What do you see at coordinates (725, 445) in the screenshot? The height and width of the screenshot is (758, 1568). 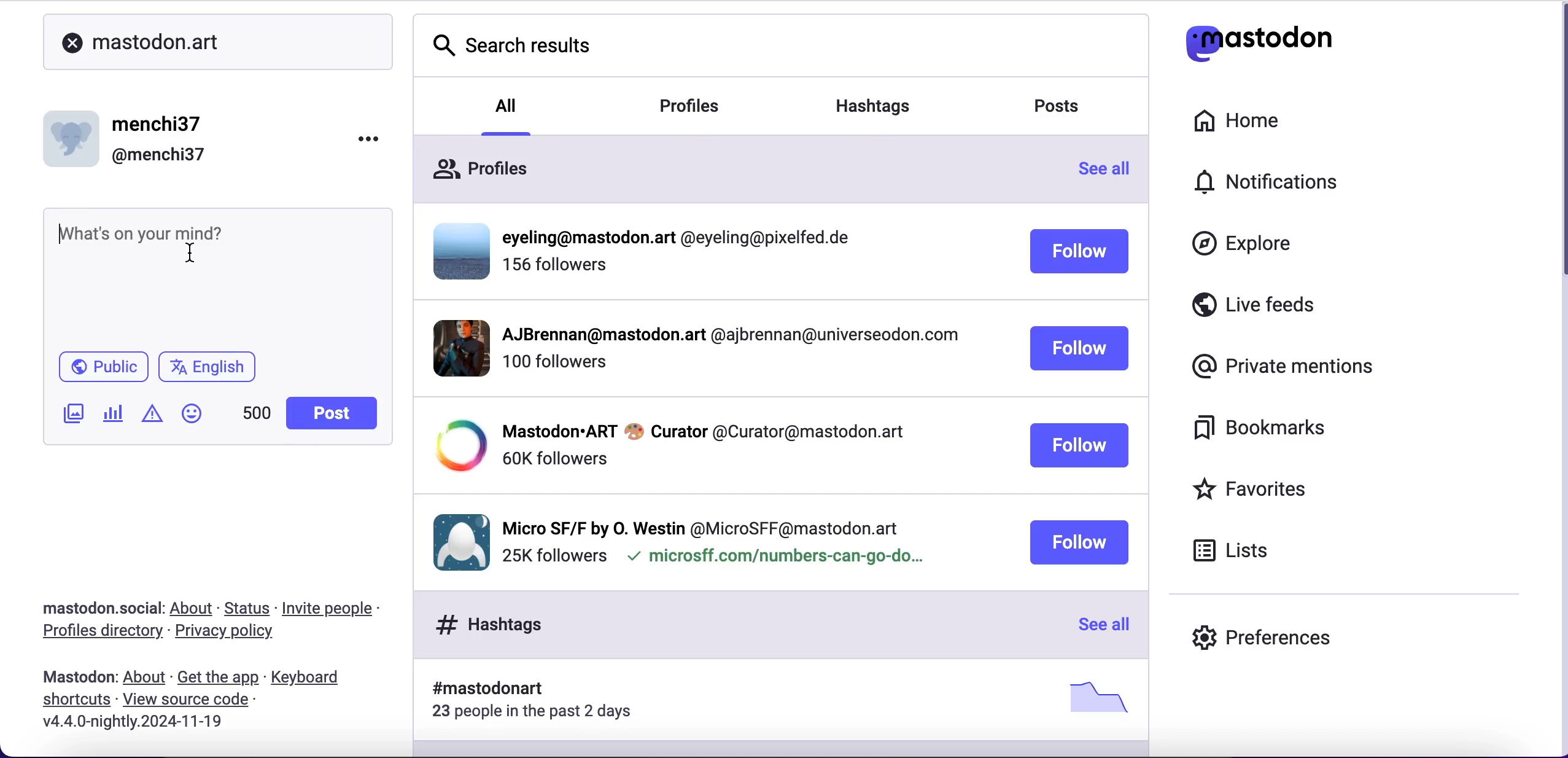 I see `user profile` at bounding box center [725, 445].